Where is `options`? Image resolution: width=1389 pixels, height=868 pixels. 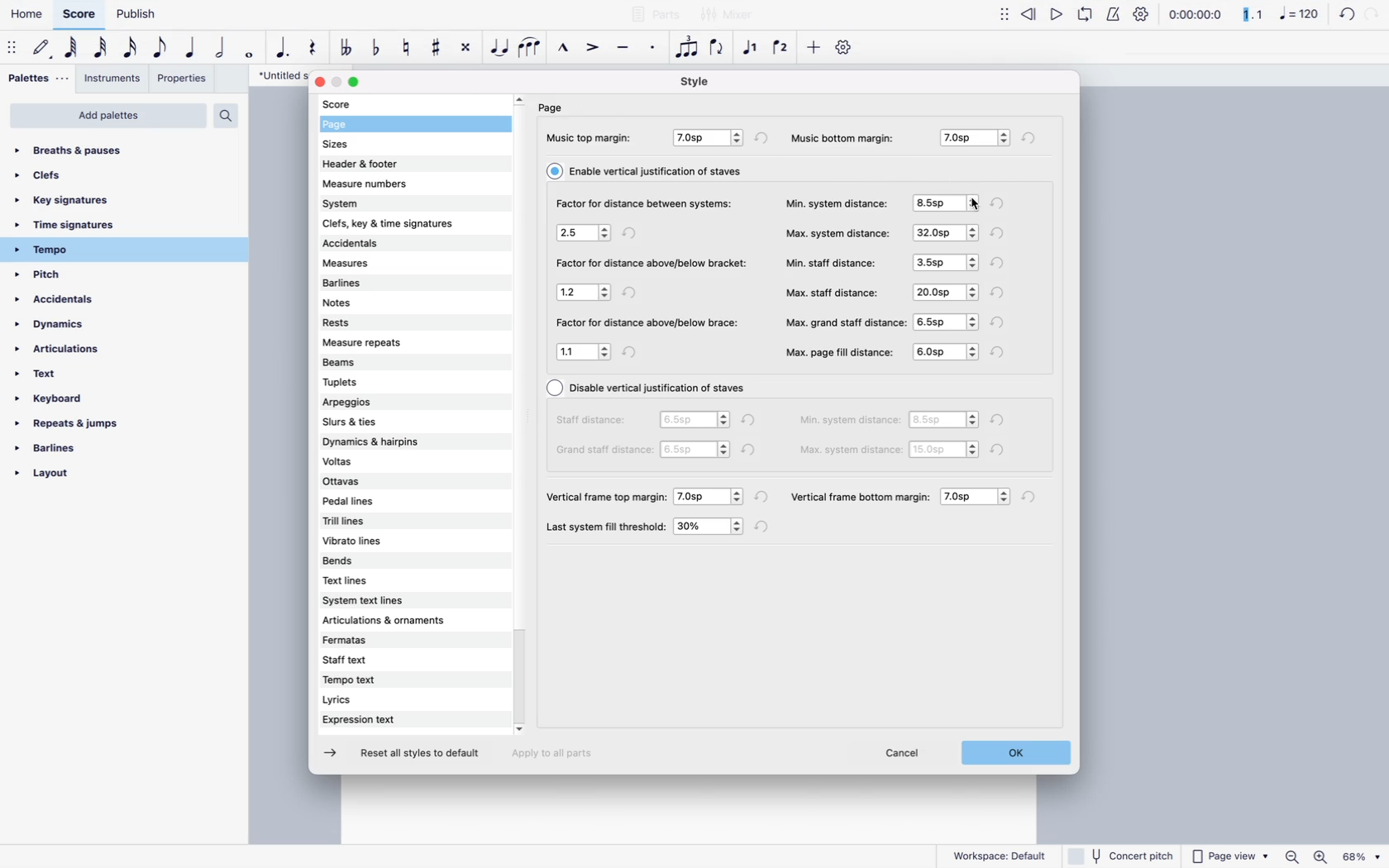 options is located at coordinates (585, 351).